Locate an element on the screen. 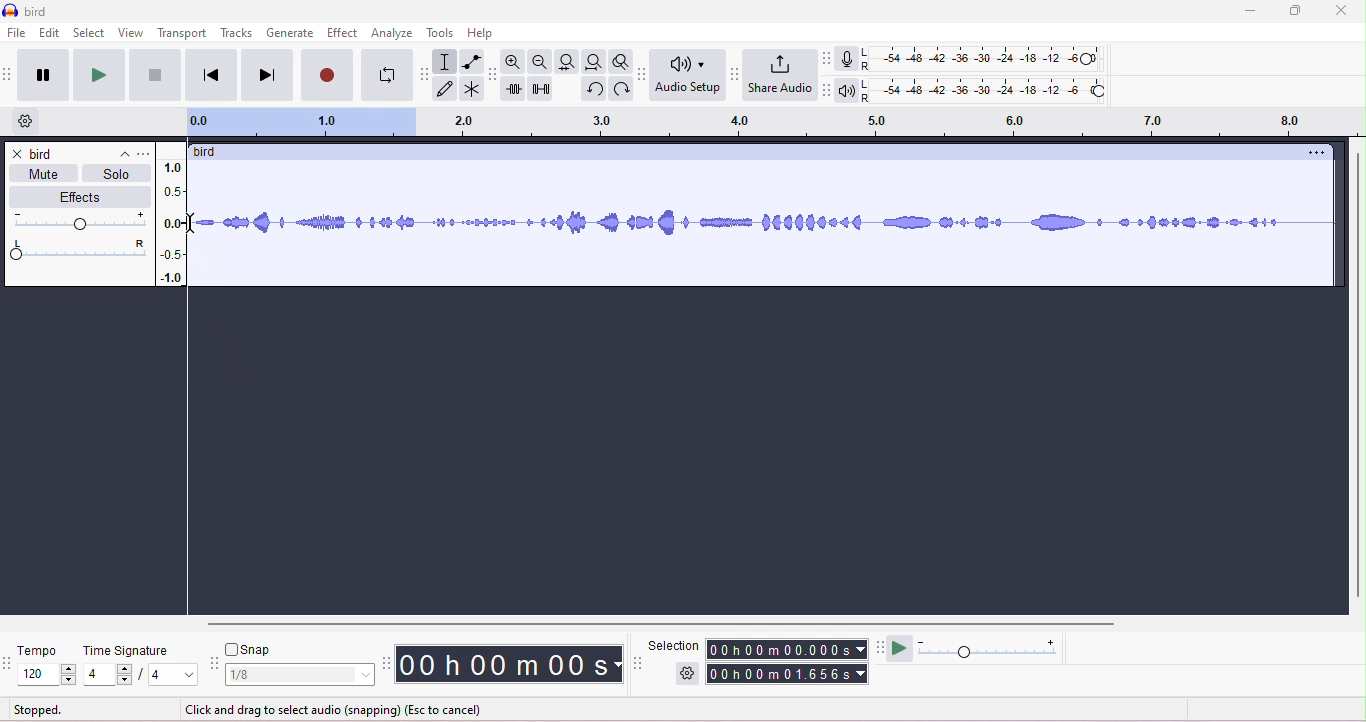  timeline is located at coordinates (768, 121).